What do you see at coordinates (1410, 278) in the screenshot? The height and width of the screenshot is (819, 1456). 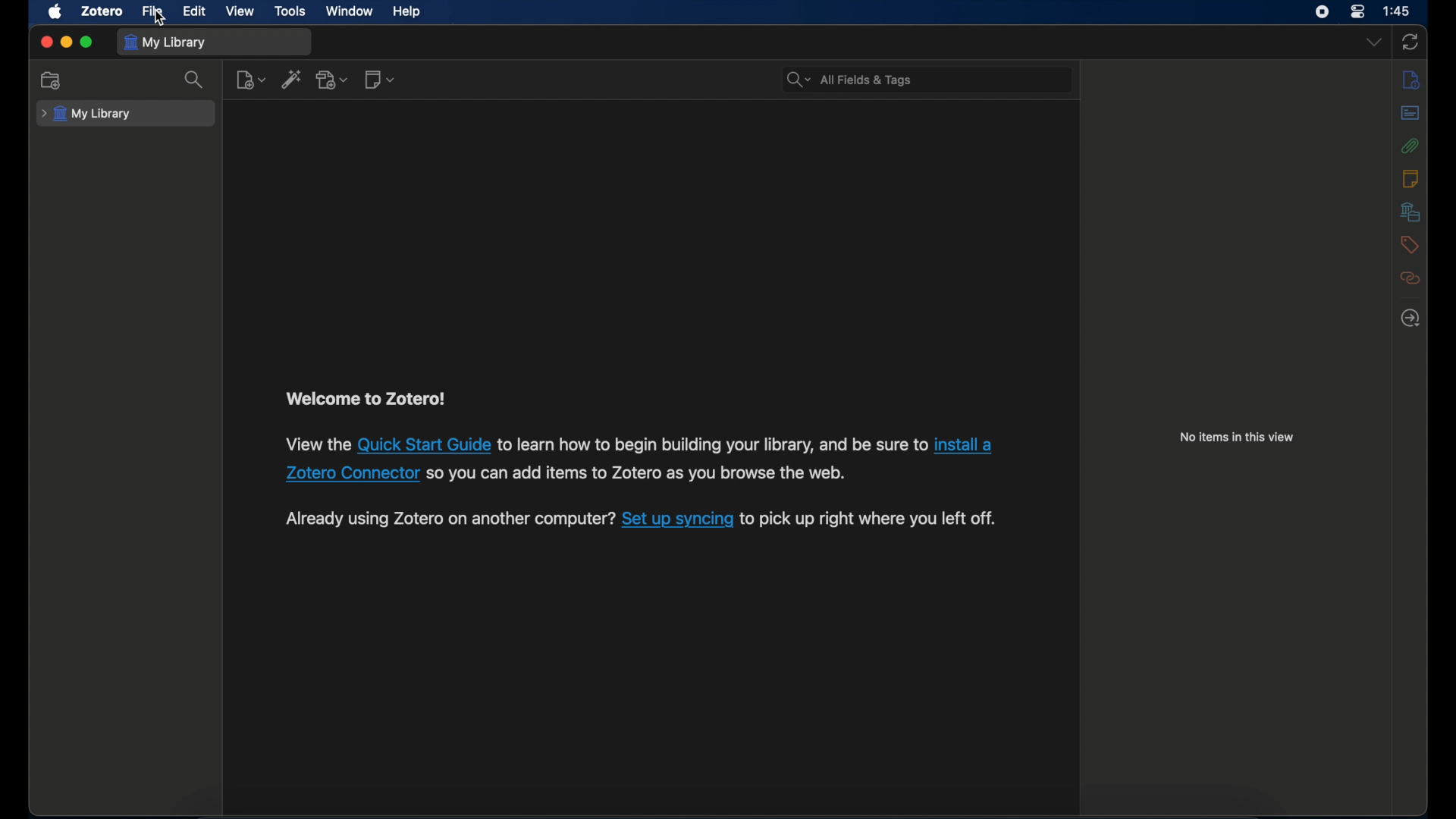 I see `related` at bounding box center [1410, 278].